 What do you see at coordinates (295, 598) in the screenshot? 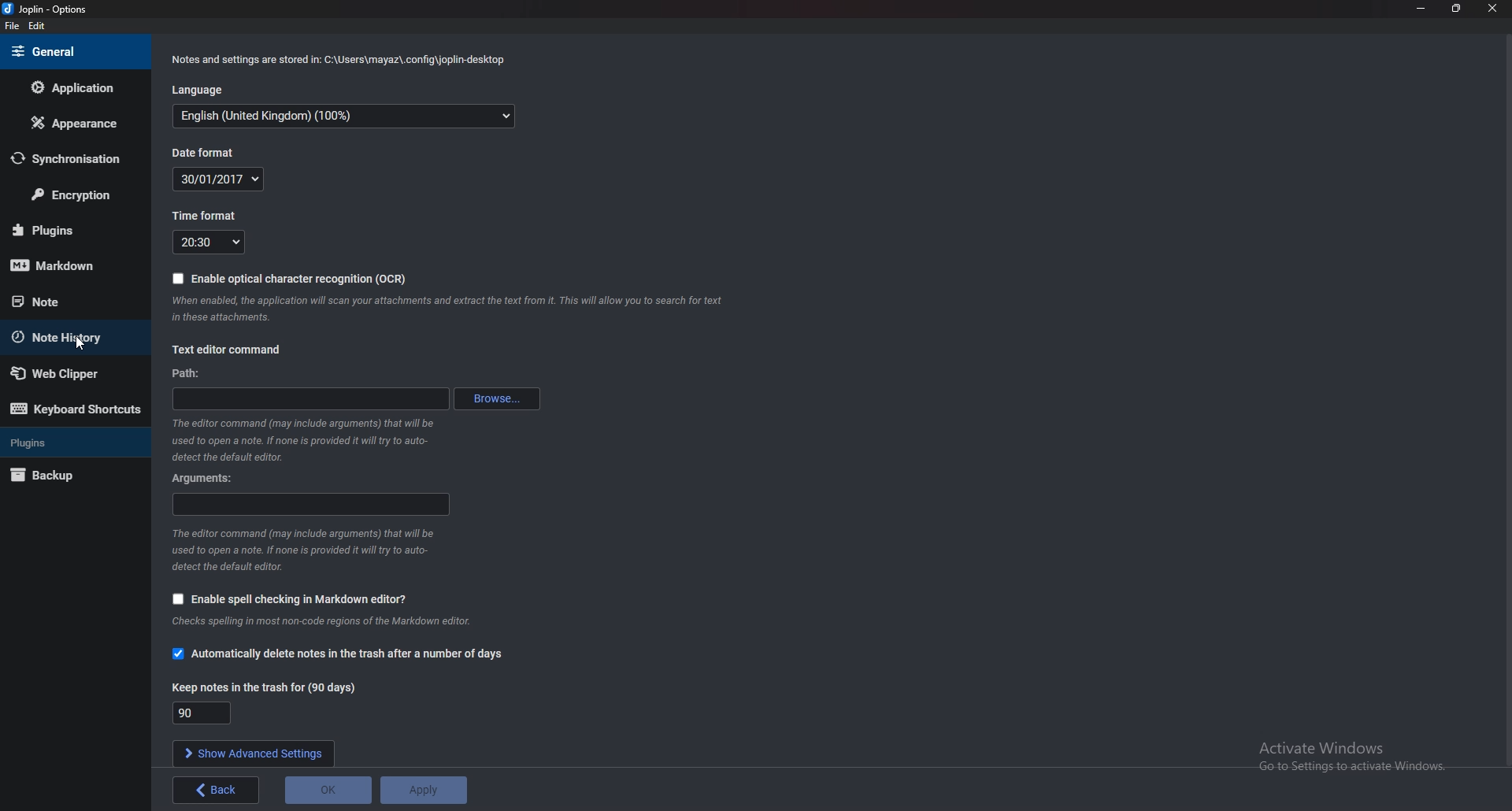
I see `Enable spell checking in Markdown editor?` at bounding box center [295, 598].